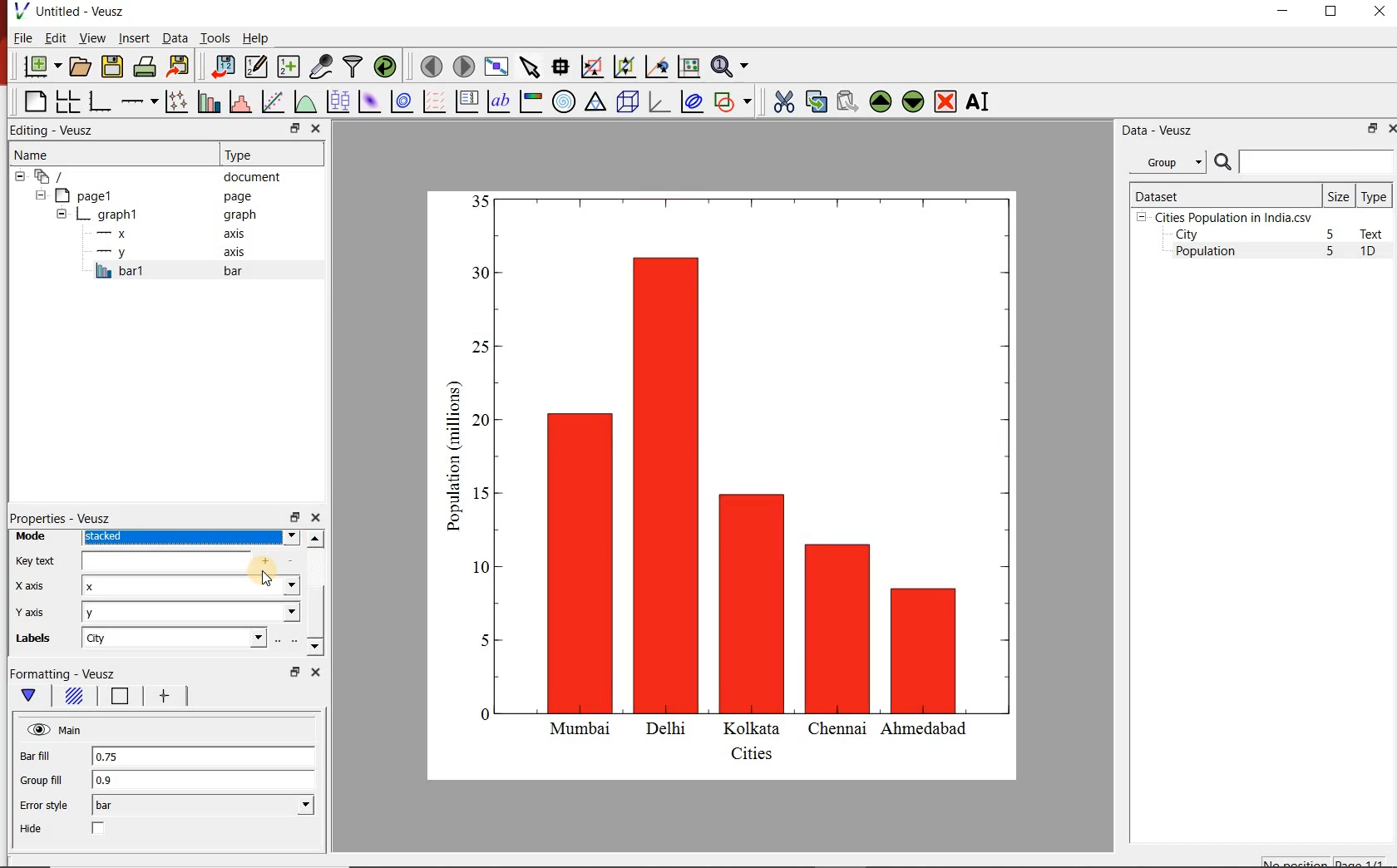 The height and width of the screenshot is (868, 1397). I want to click on zoom functions menu, so click(733, 67).